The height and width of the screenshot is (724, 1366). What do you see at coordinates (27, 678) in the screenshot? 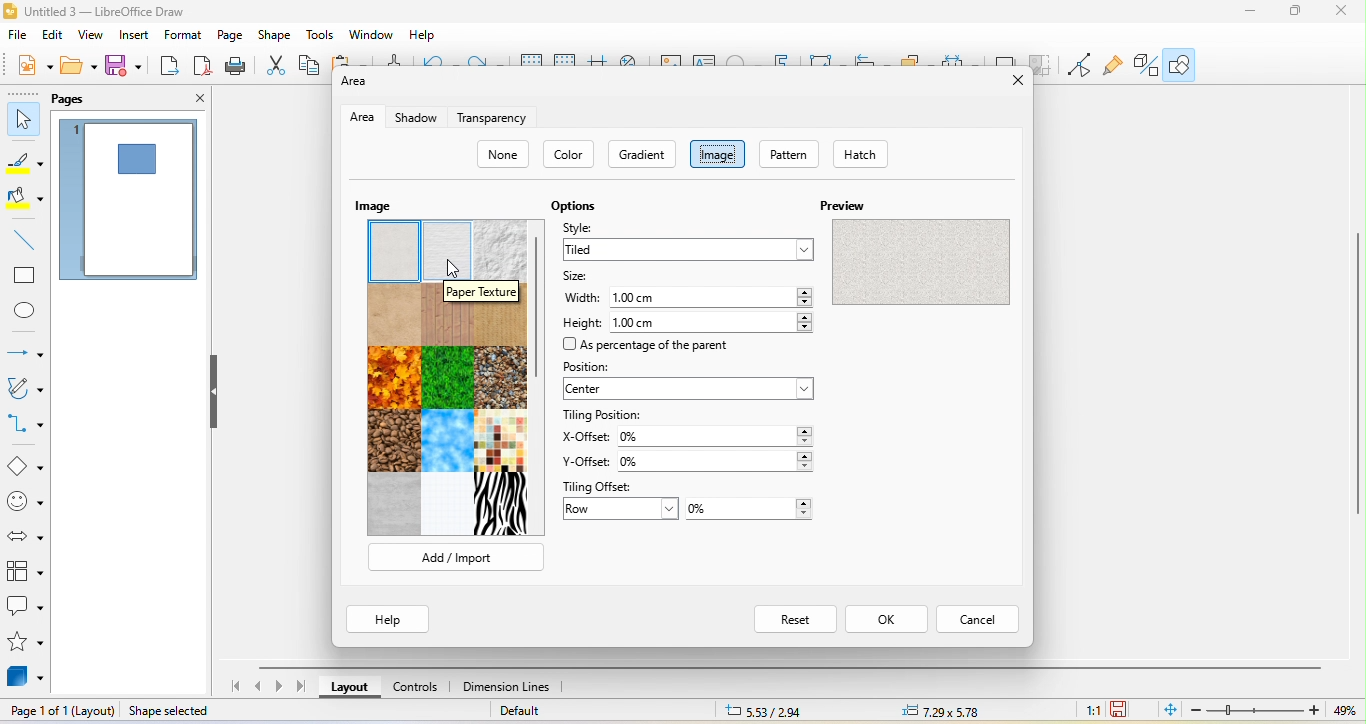
I see `3d object` at bounding box center [27, 678].